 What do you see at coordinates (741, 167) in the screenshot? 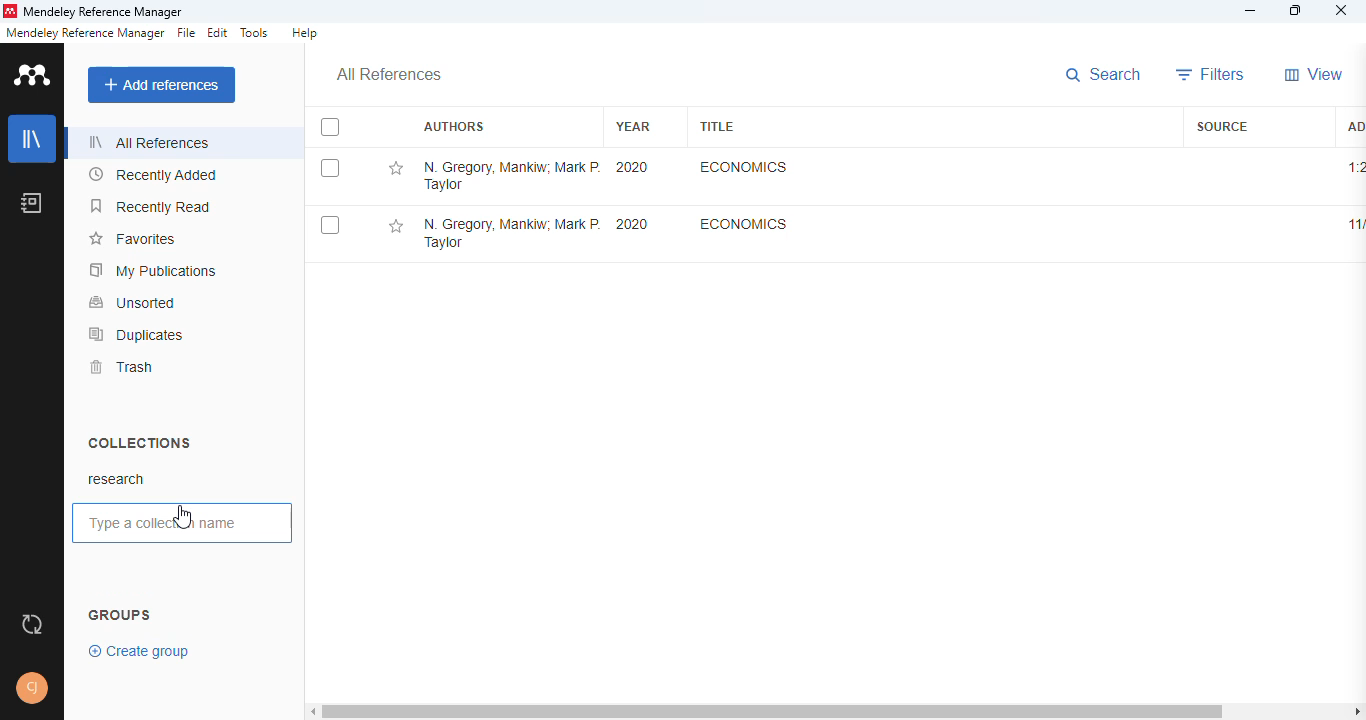
I see `Economics` at bounding box center [741, 167].